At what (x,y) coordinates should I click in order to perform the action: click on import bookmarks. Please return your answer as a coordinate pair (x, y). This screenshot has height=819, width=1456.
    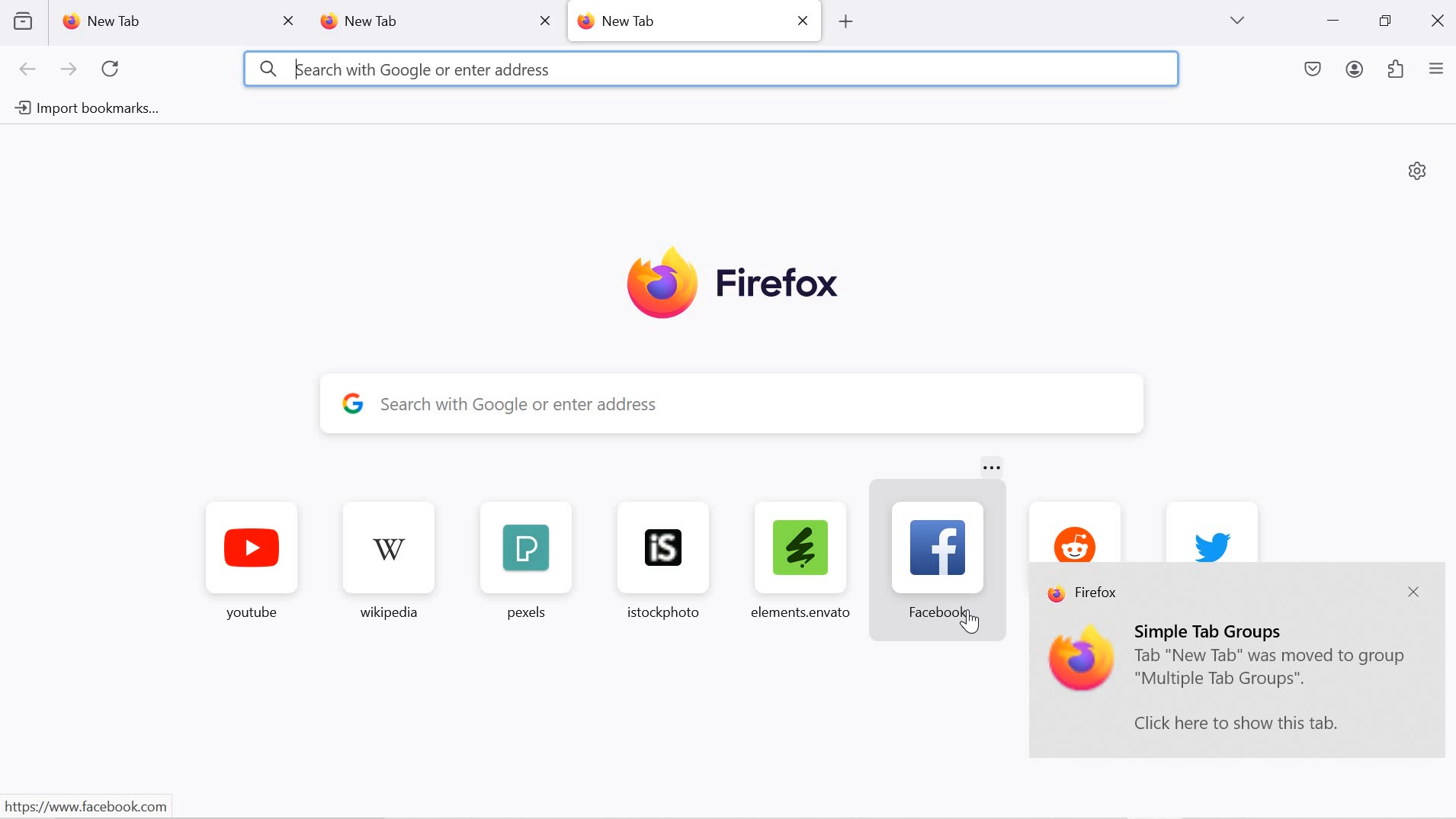
    Looking at the image, I should click on (84, 109).